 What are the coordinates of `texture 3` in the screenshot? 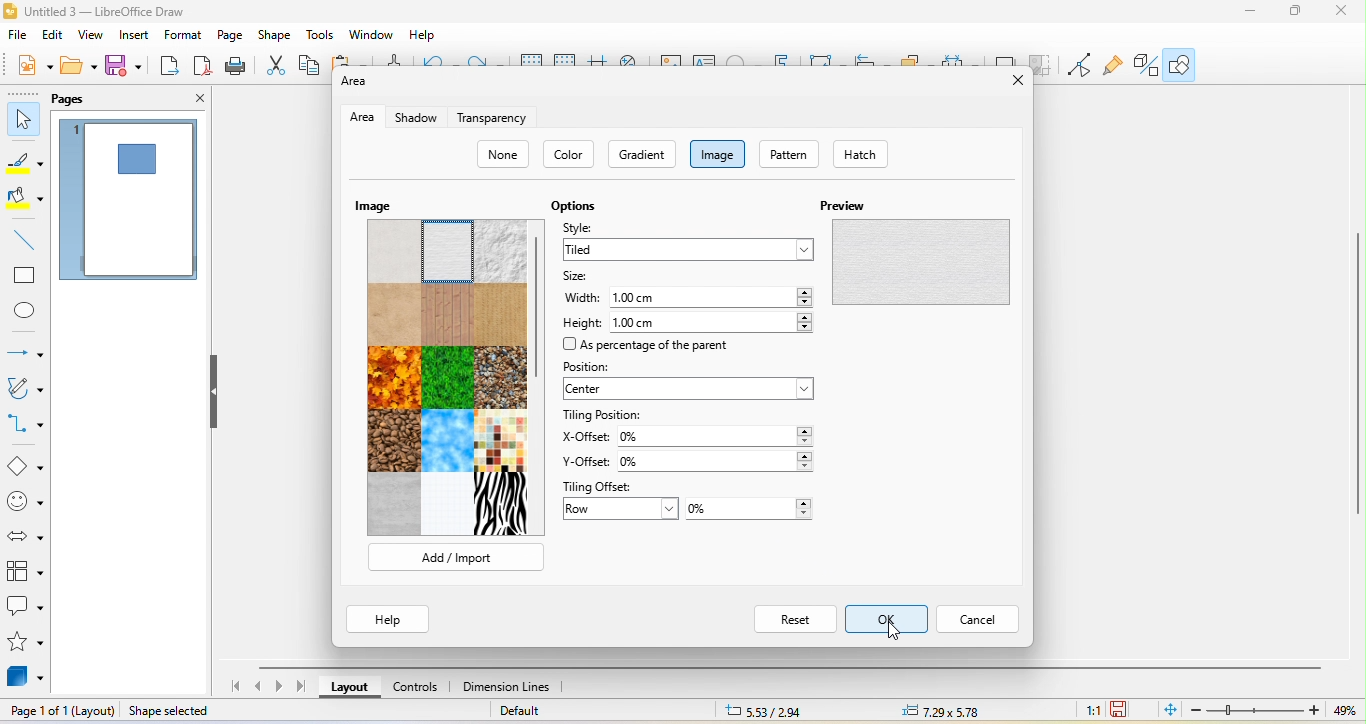 It's located at (502, 251).